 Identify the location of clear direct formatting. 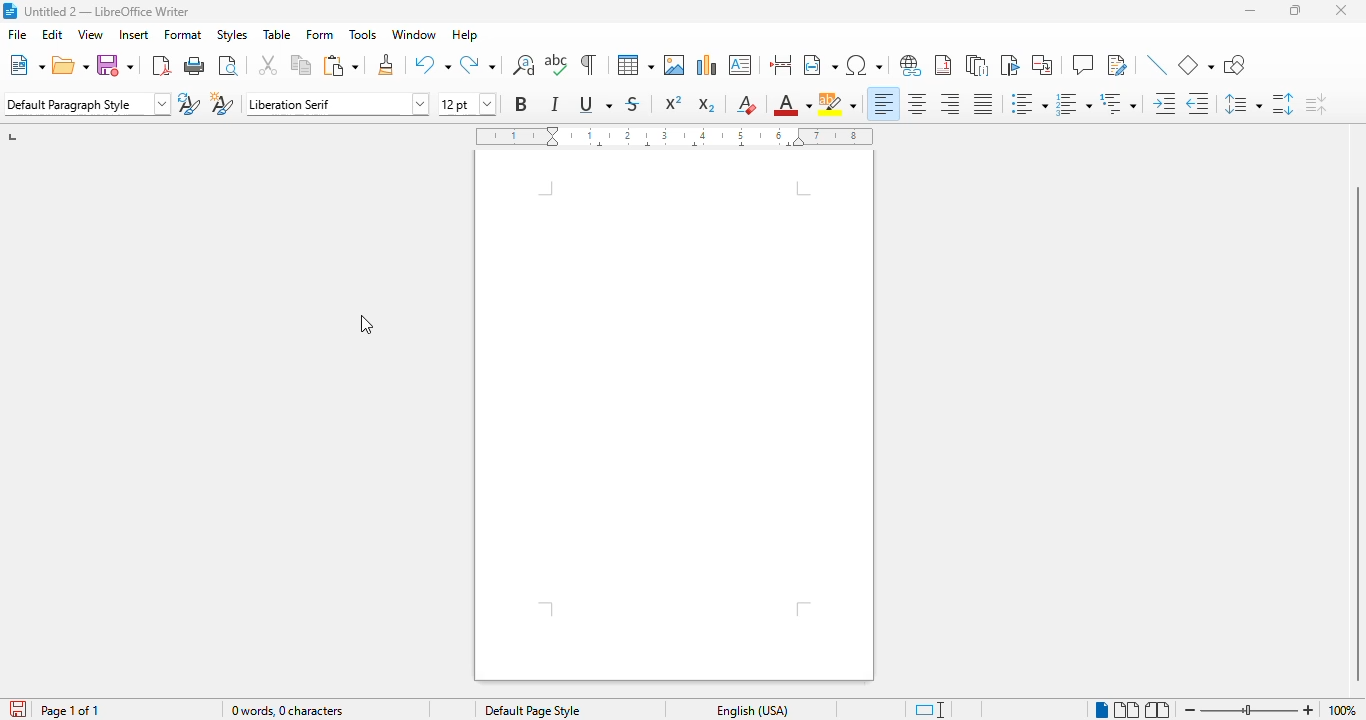
(747, 104).